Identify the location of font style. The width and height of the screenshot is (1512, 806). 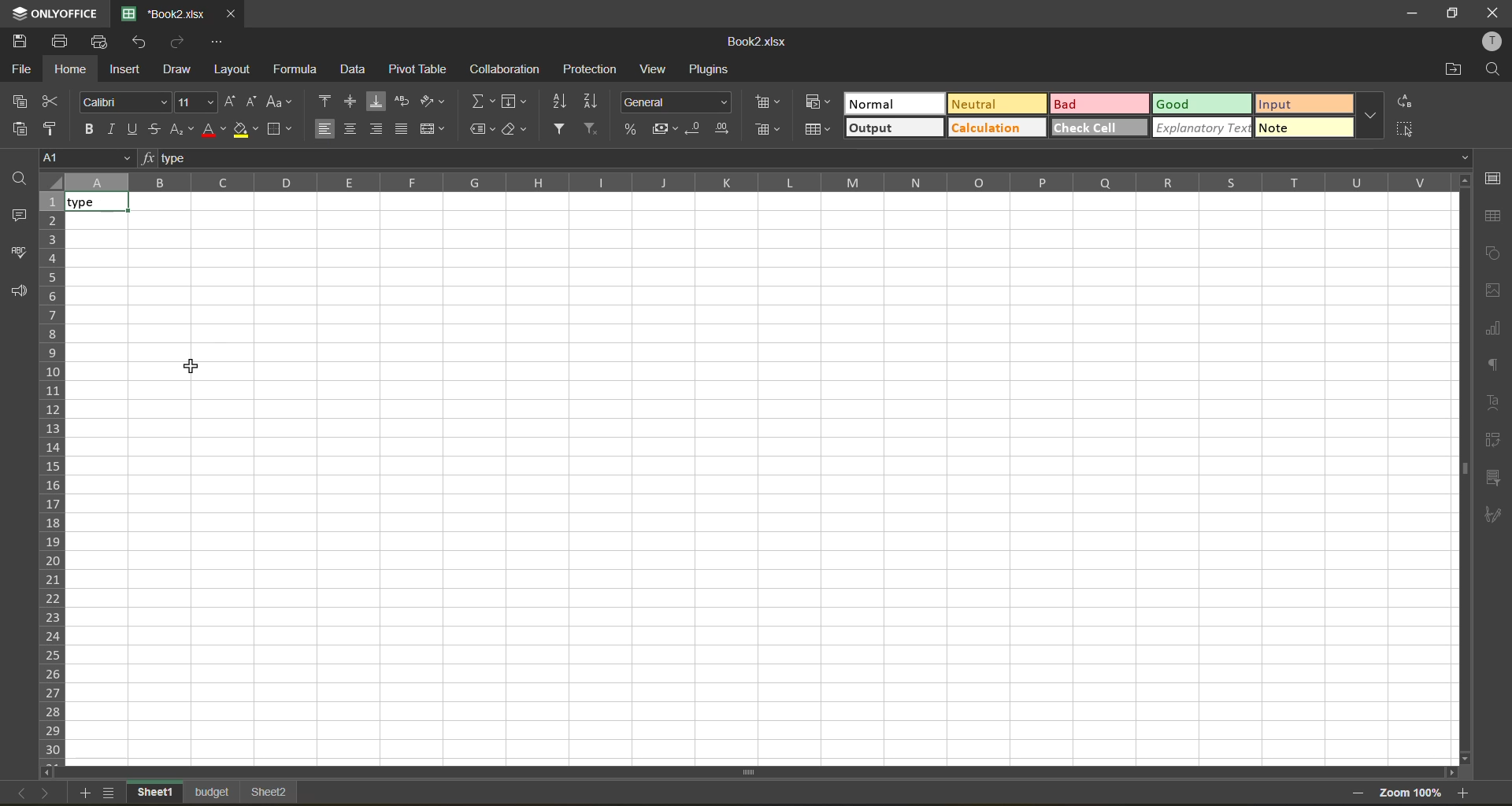
(126, 102).